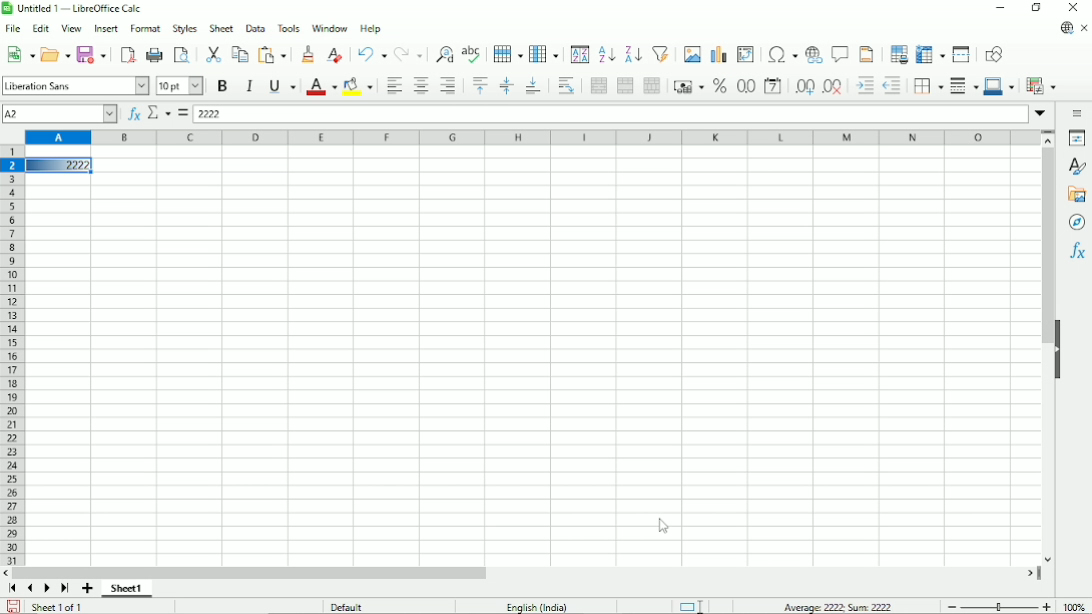 This screenshot has height=614, width=1092. What do you see at coordinates (66, 589) in the screenshot?
I see `Scroll to last sheet` at bounding box center [66, 589].